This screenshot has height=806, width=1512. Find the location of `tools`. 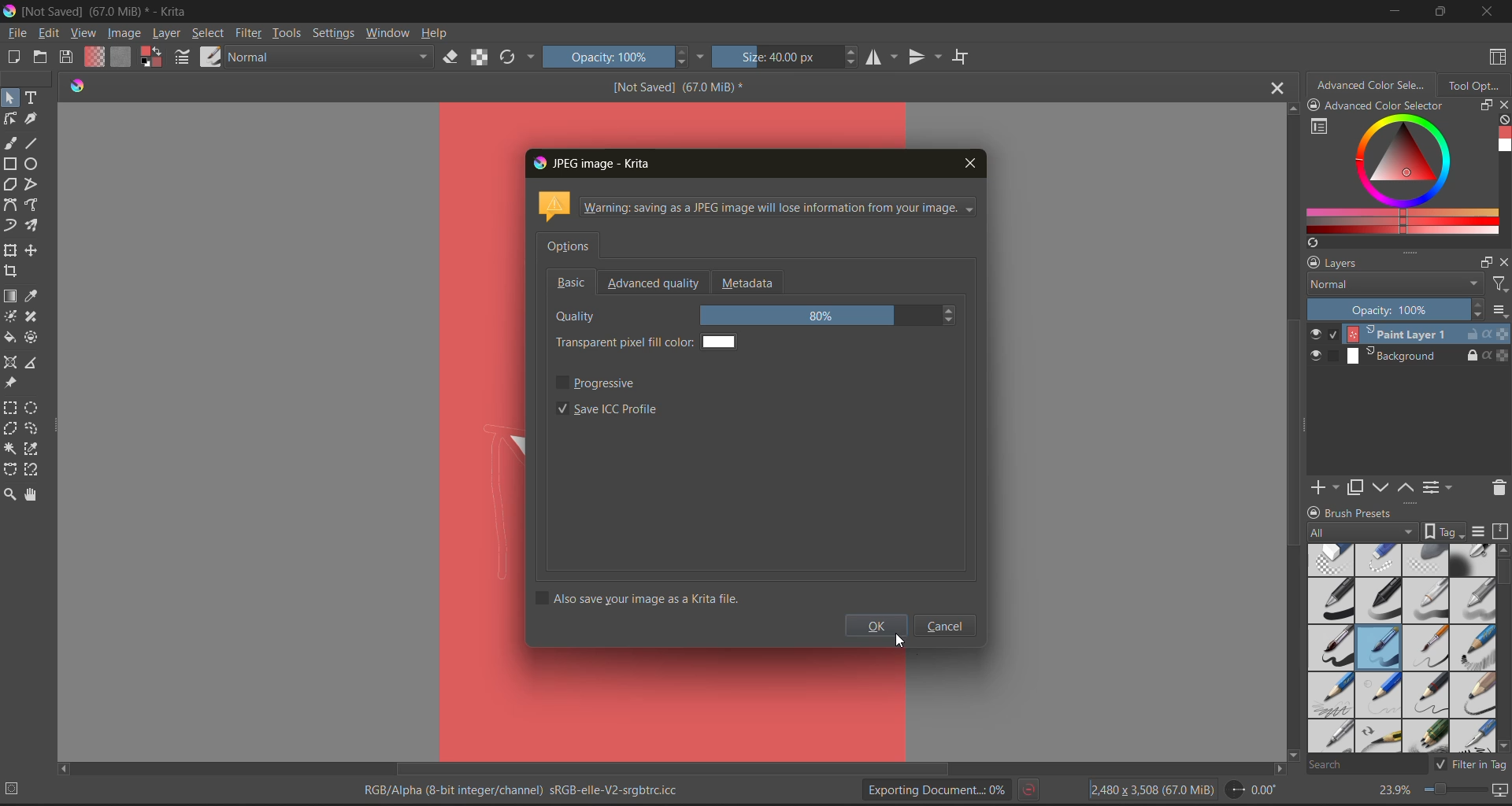

tools is located at coordinates (35, 251).